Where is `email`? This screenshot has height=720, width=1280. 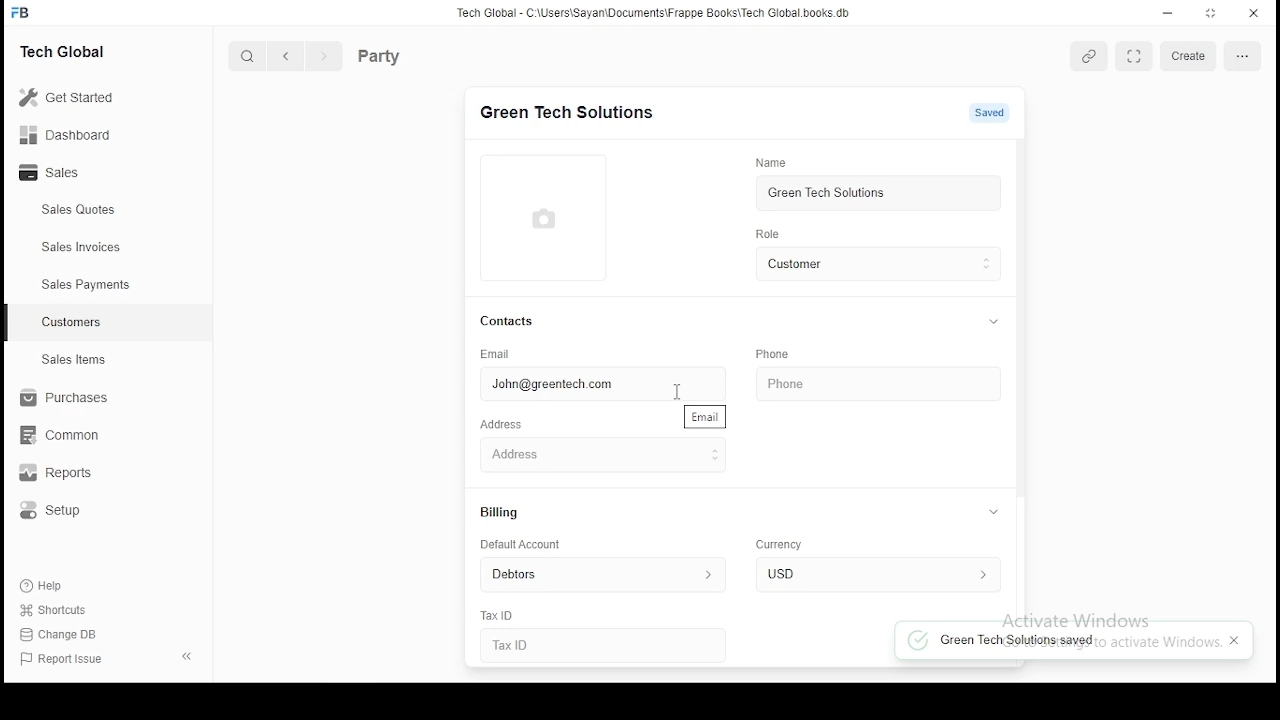
email is located at coordinates (707, 416).